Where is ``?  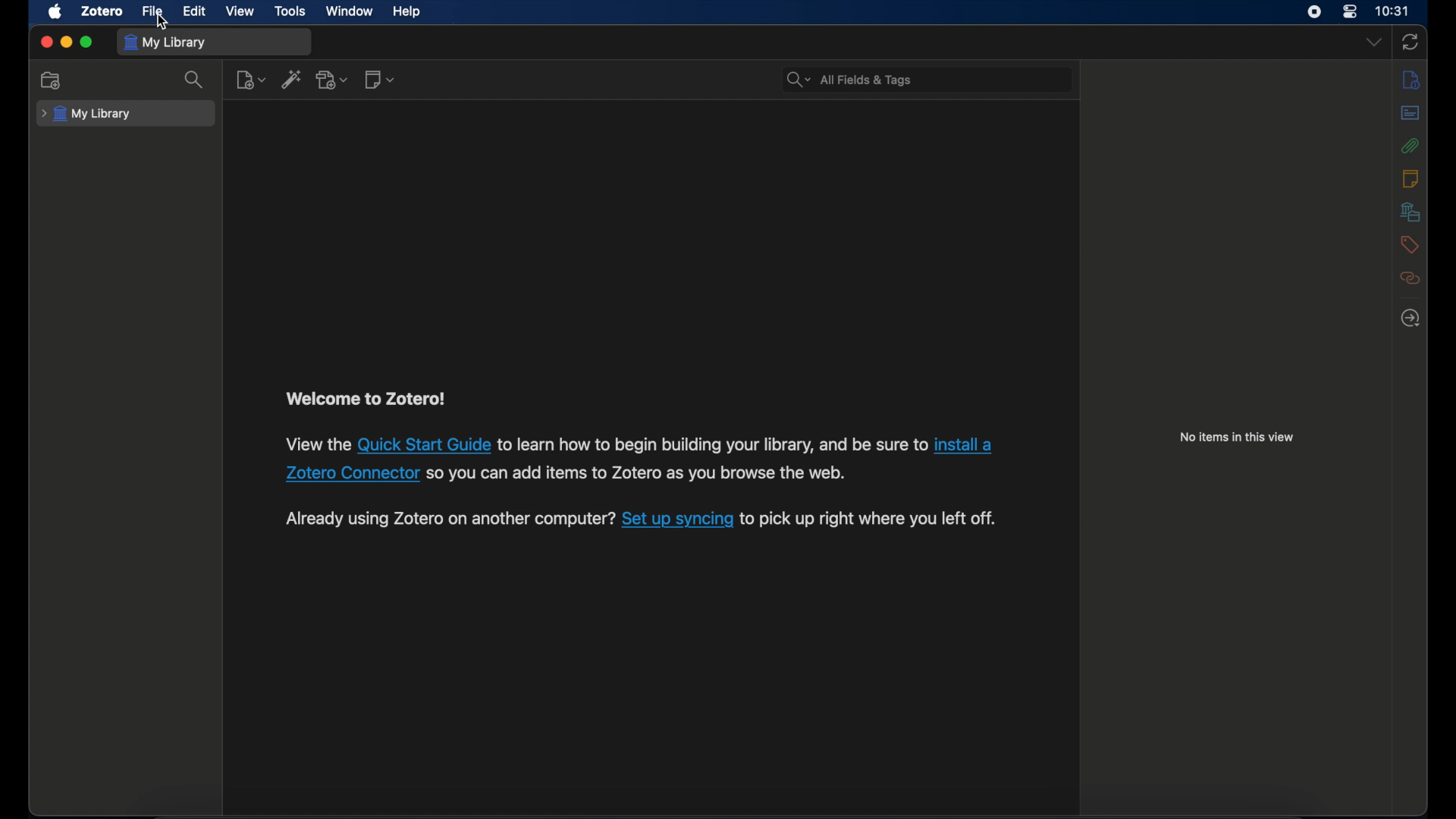
 is located at coordinates (868, 519).